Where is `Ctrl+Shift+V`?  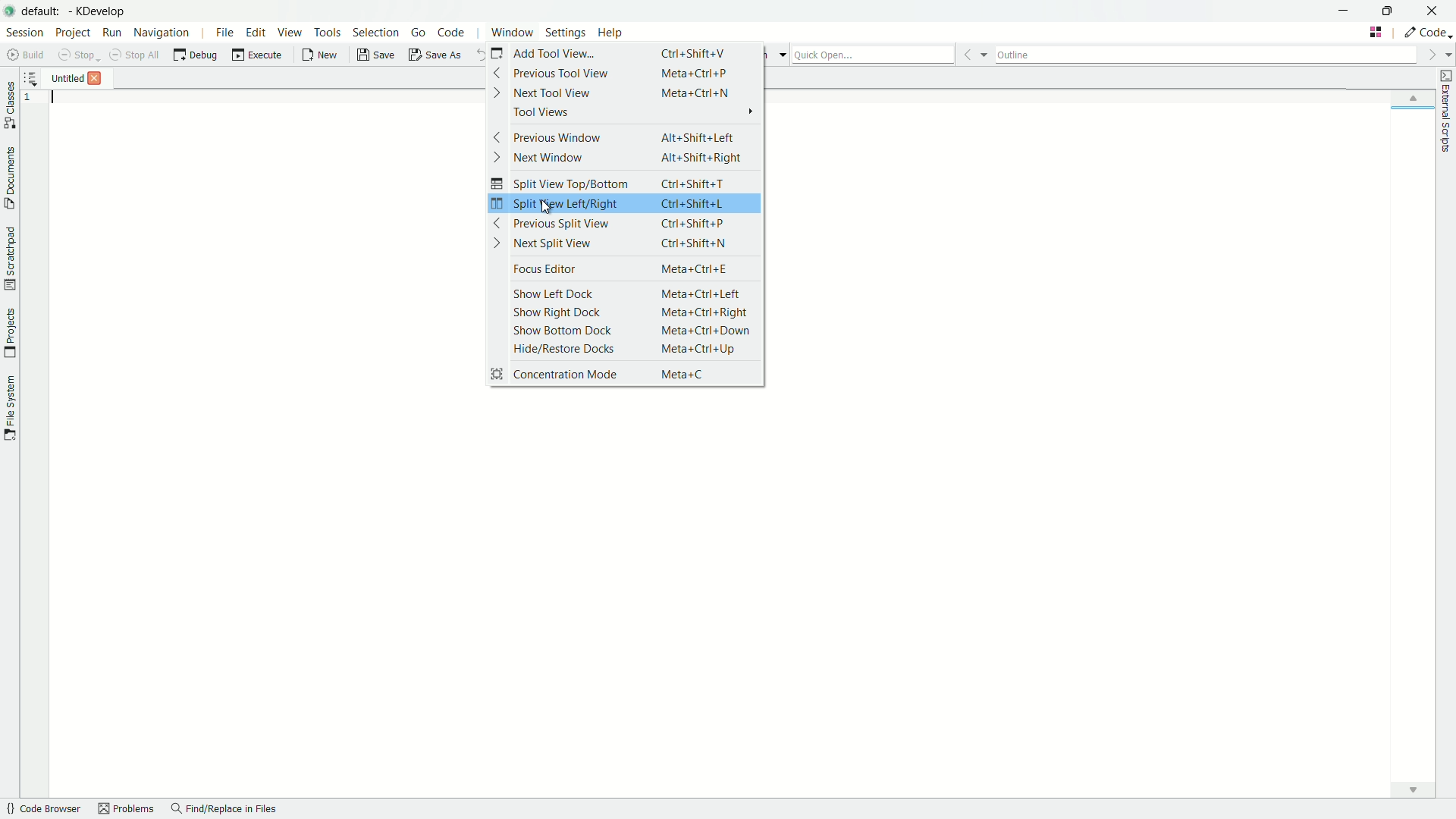 Ctrl+Shift+V is located at coordinates (701, 52).